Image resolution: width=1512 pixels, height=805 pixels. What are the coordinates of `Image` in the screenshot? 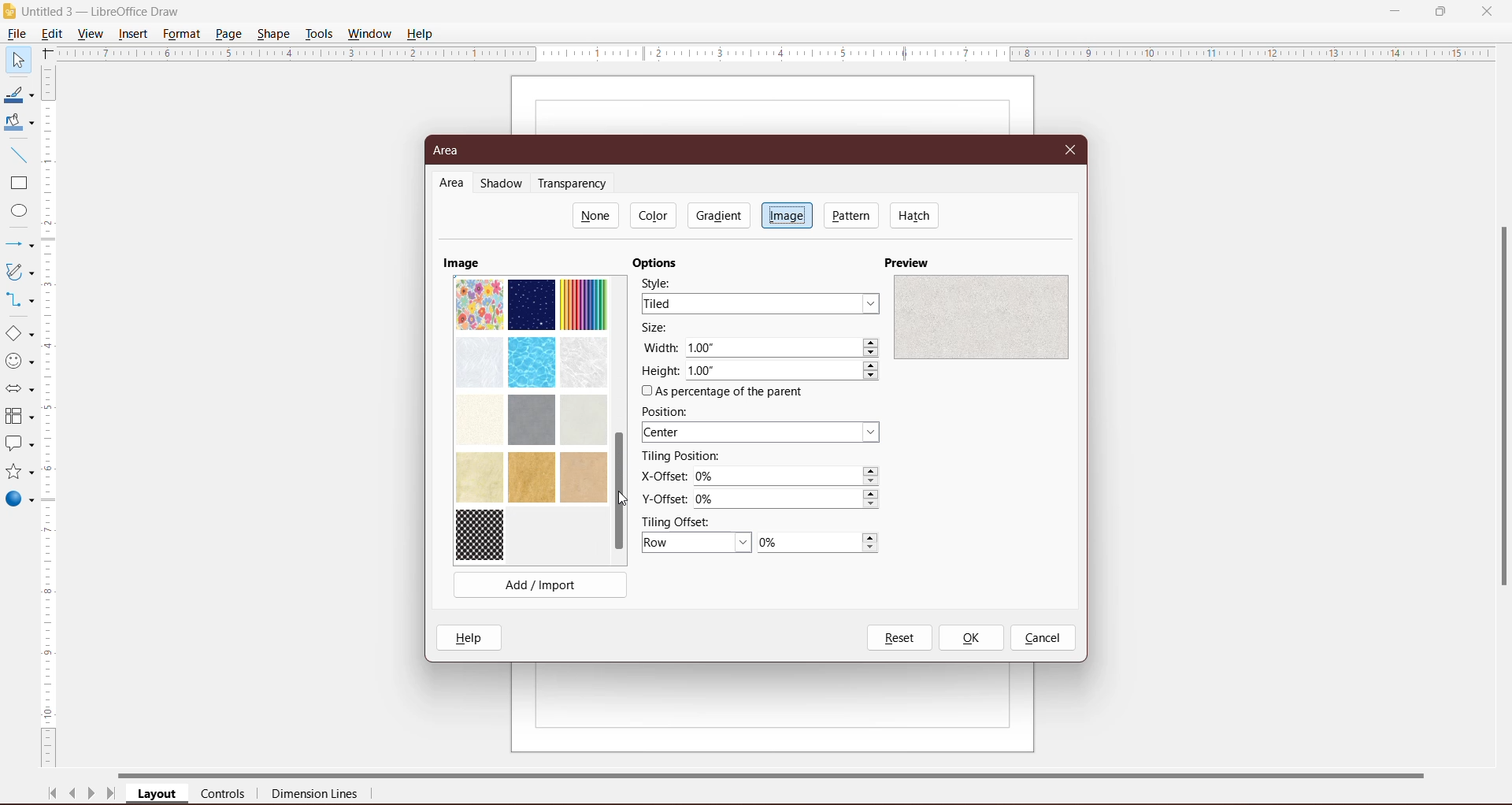 It's located at (787, 214).